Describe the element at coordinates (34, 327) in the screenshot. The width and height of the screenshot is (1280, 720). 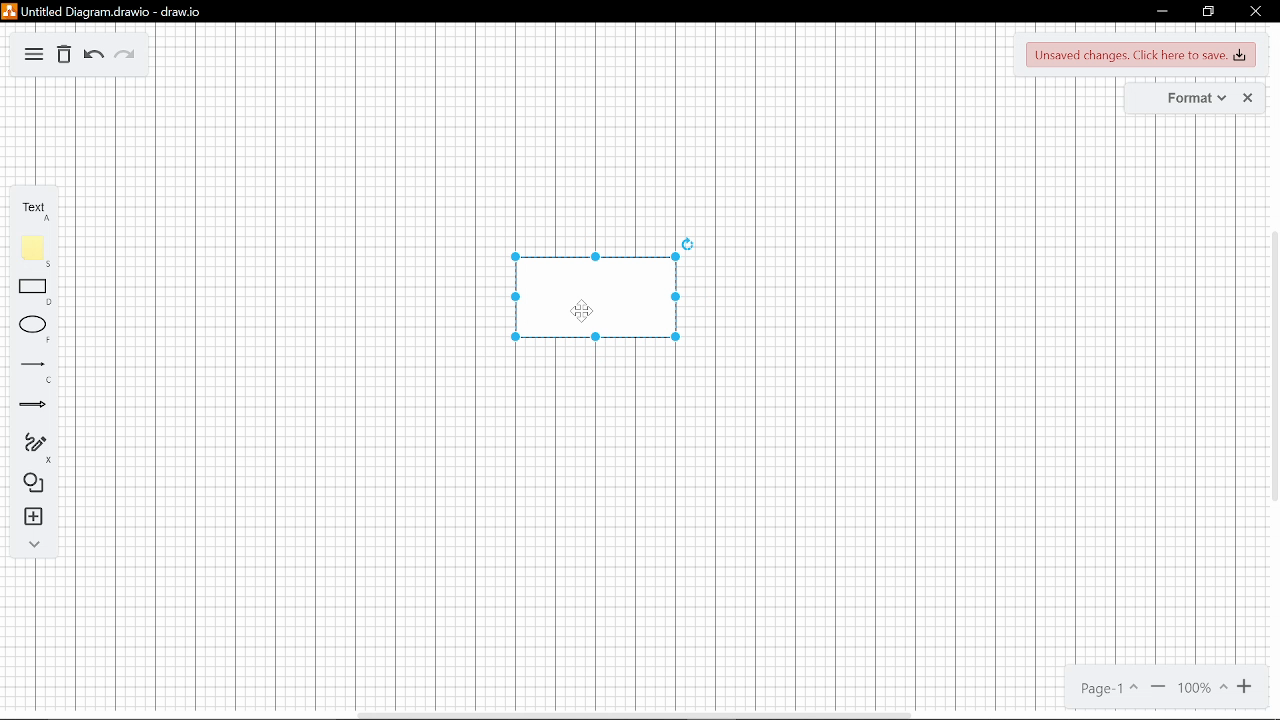
I see `Circle` at that location.